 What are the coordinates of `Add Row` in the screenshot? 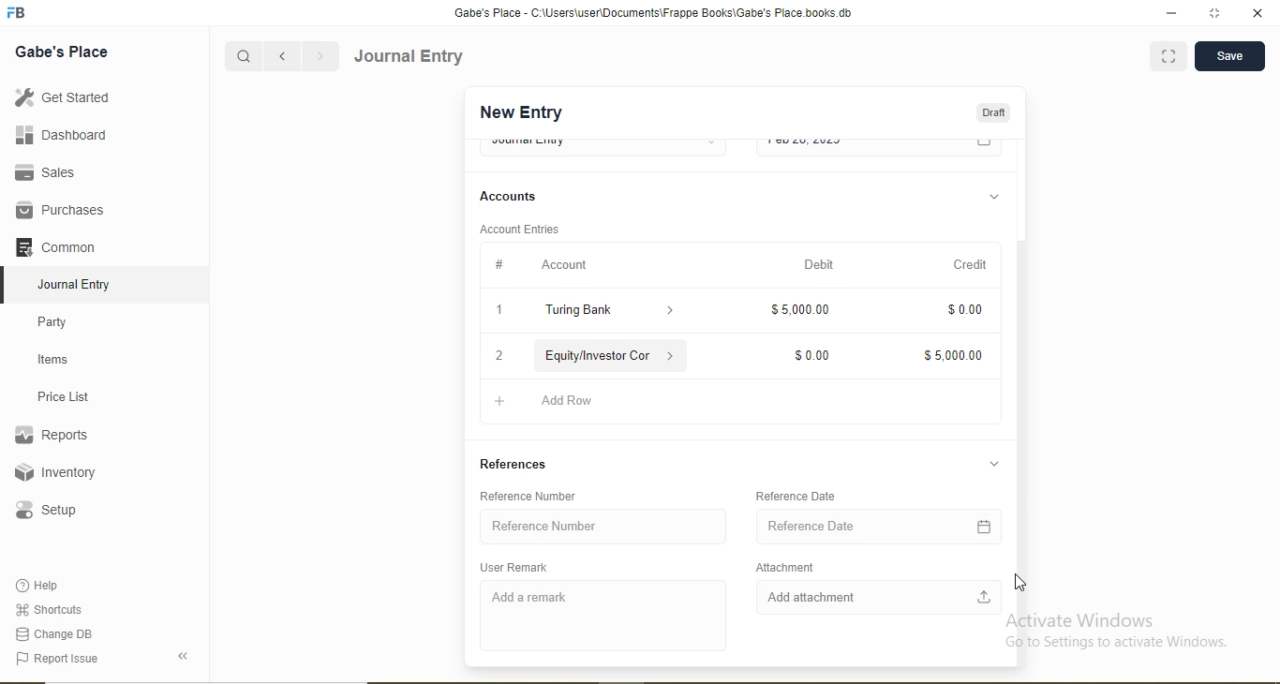 It's located at (570, 401).